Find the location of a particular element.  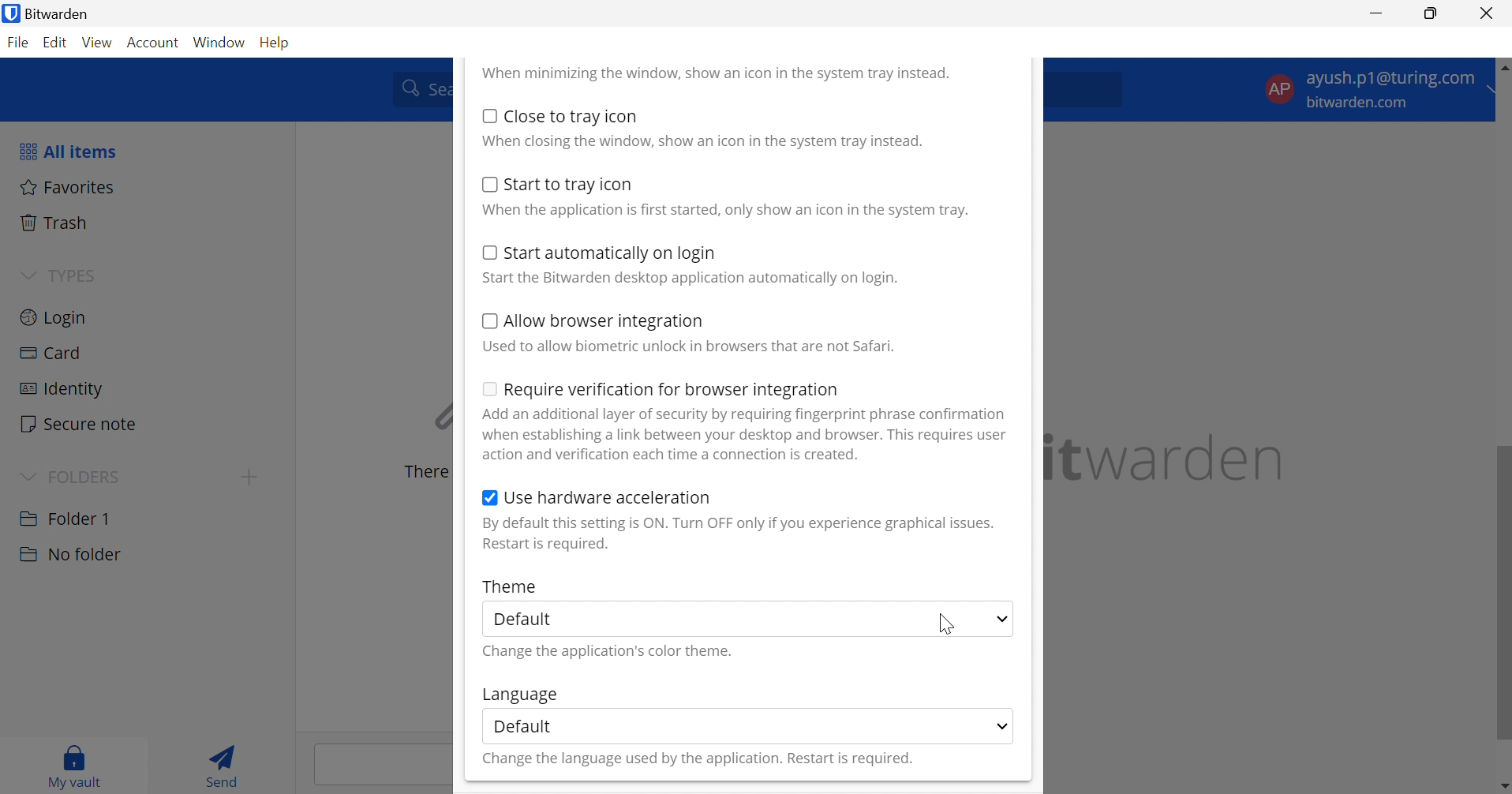

View is located at coordinates (99, 43).